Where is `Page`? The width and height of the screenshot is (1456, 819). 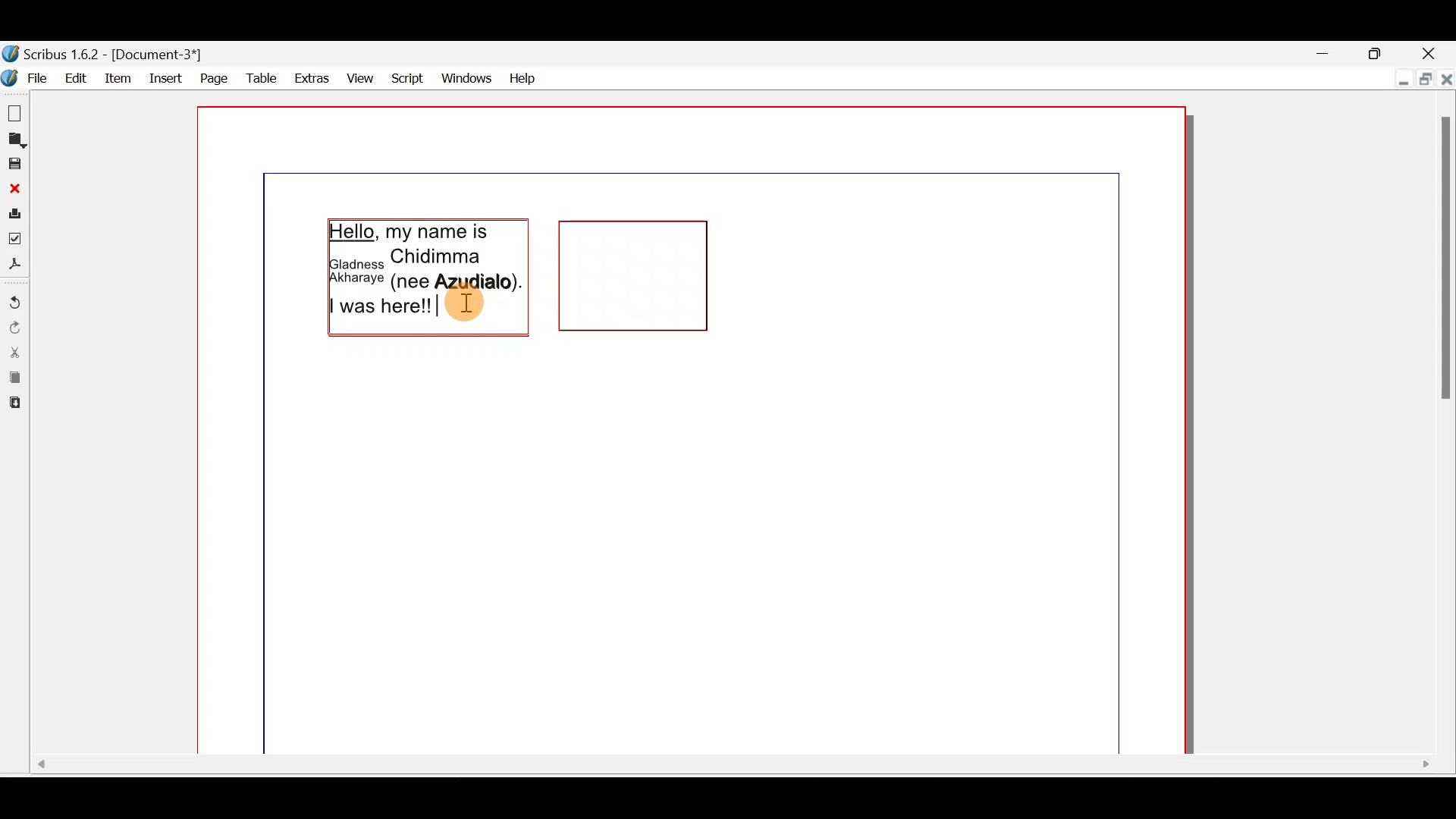
Page is located at coordinates (210, 77).